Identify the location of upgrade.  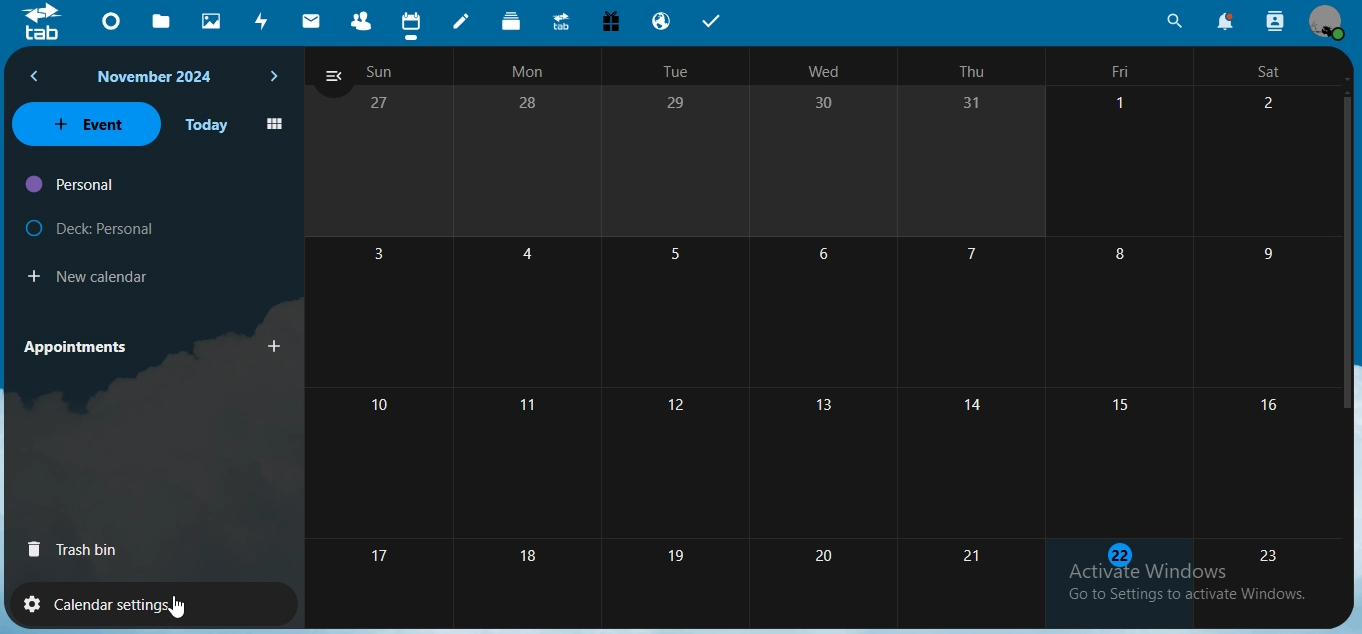
(563, 22).